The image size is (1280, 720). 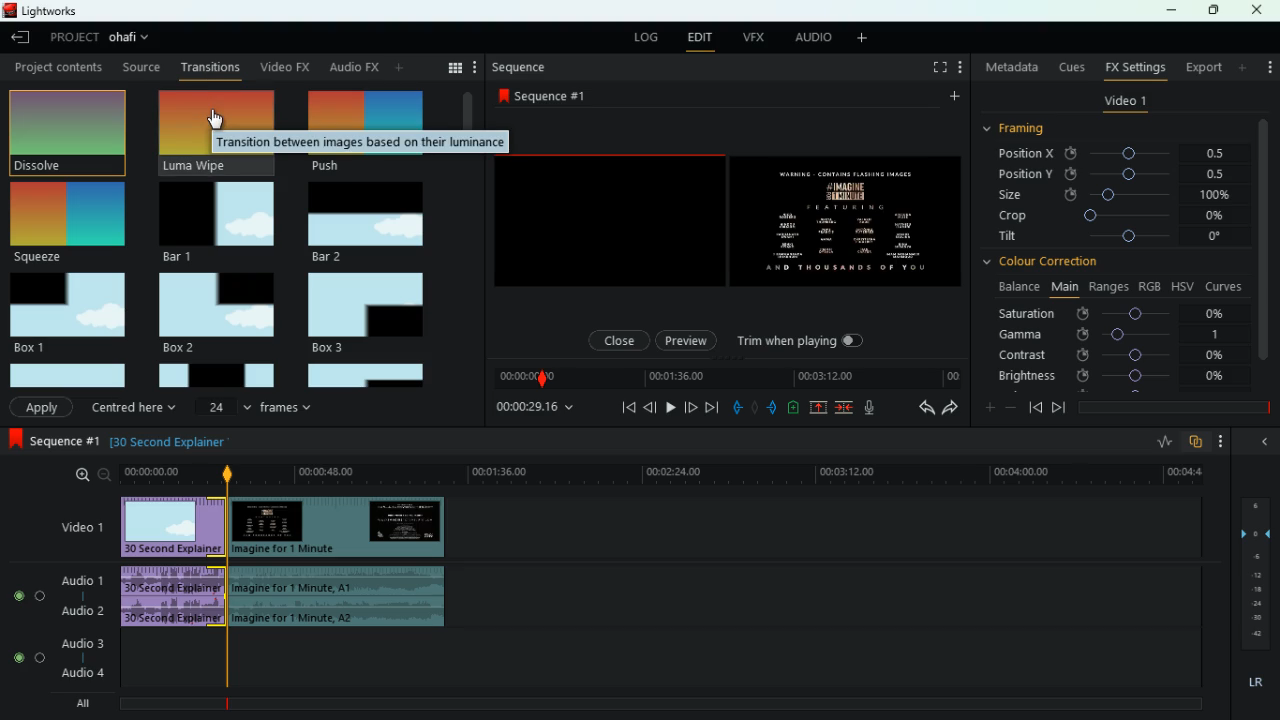 I want to click on squeeze, so click(x=65, y=223).